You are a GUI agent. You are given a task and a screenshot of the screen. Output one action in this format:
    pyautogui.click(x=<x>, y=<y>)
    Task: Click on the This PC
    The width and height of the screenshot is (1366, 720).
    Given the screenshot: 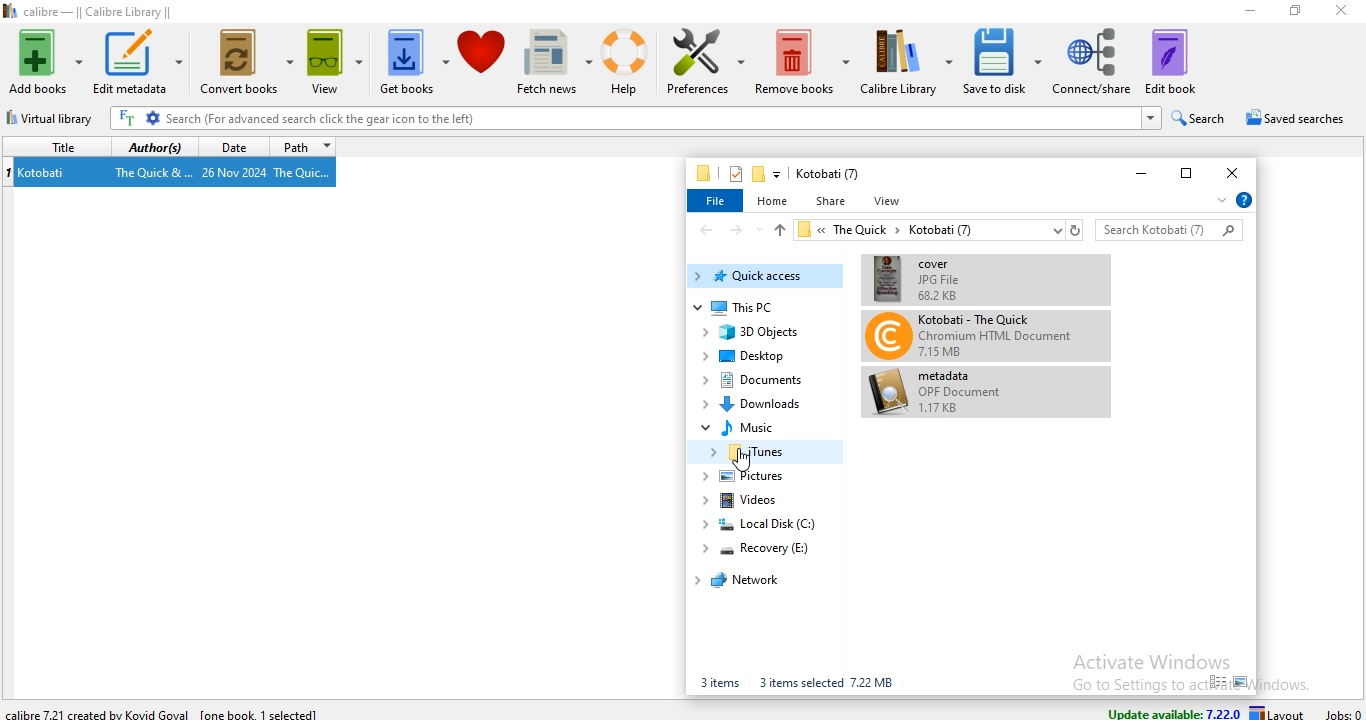 What is the action you would take?
    pyautogui.click(x=768, y=308)
    